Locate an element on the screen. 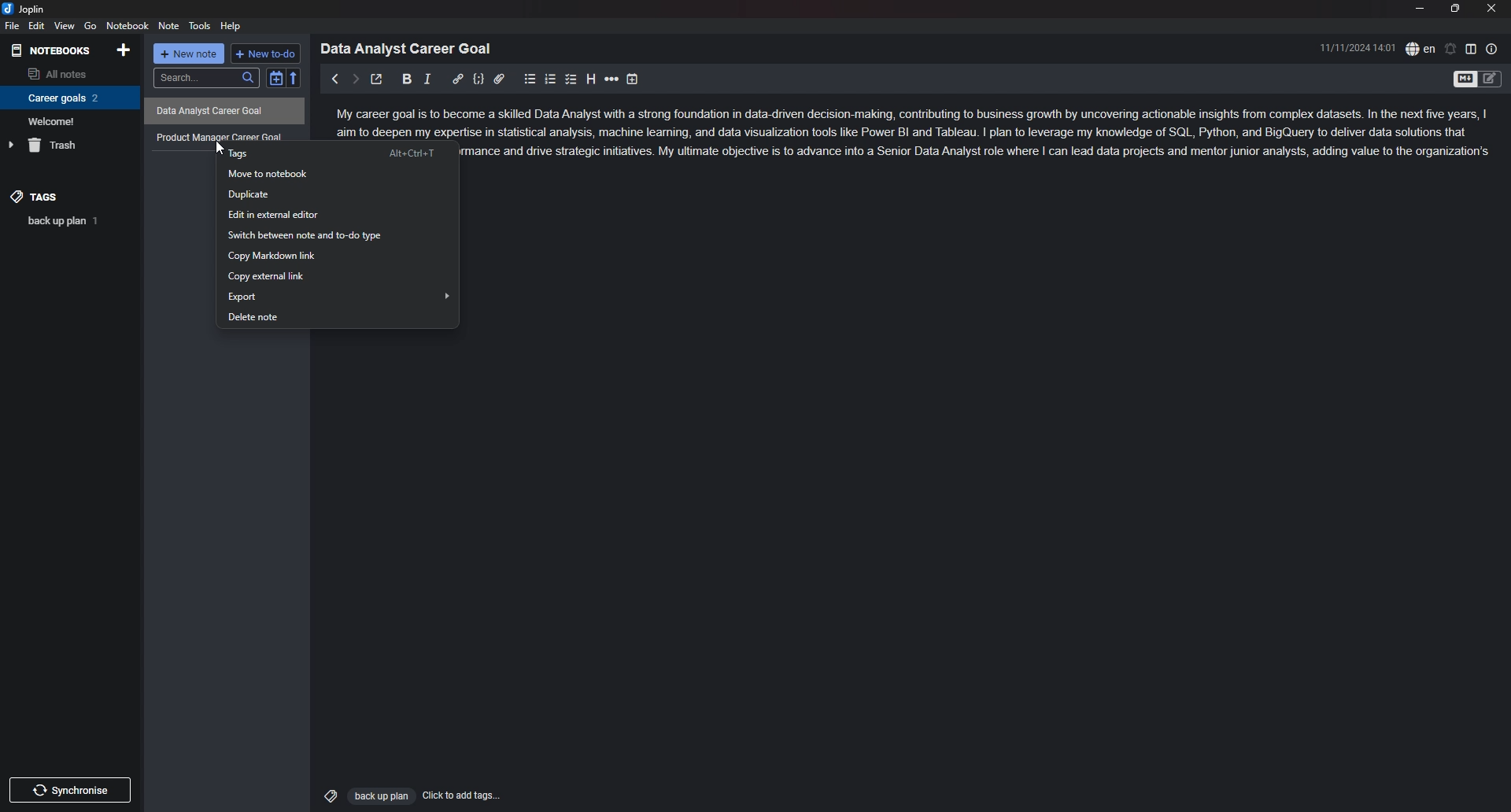 This screenshot has height=812, width=1511. switch between note and to-do type is located at coordinates (337, 235).